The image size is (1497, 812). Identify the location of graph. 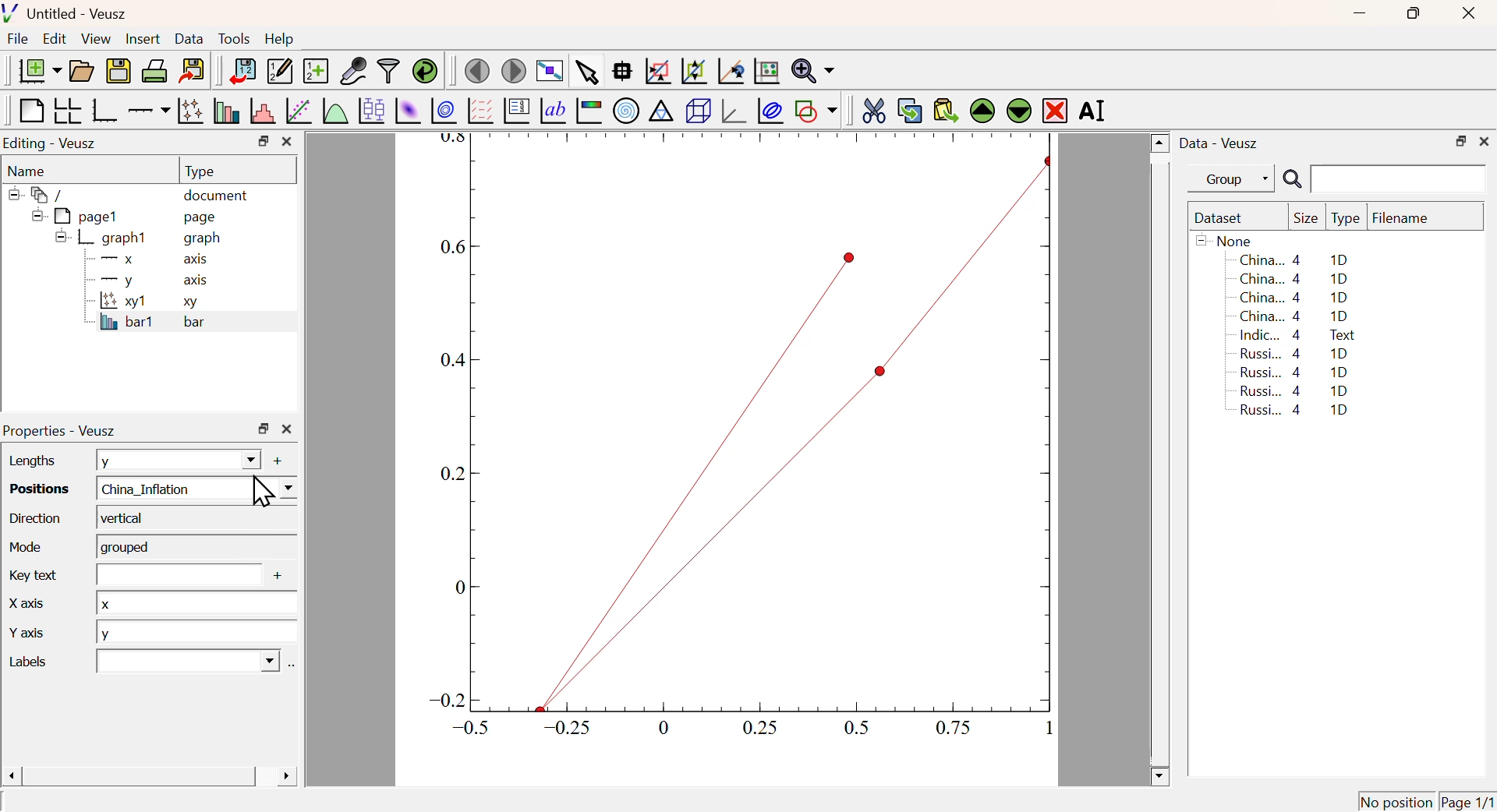
(204, 239).